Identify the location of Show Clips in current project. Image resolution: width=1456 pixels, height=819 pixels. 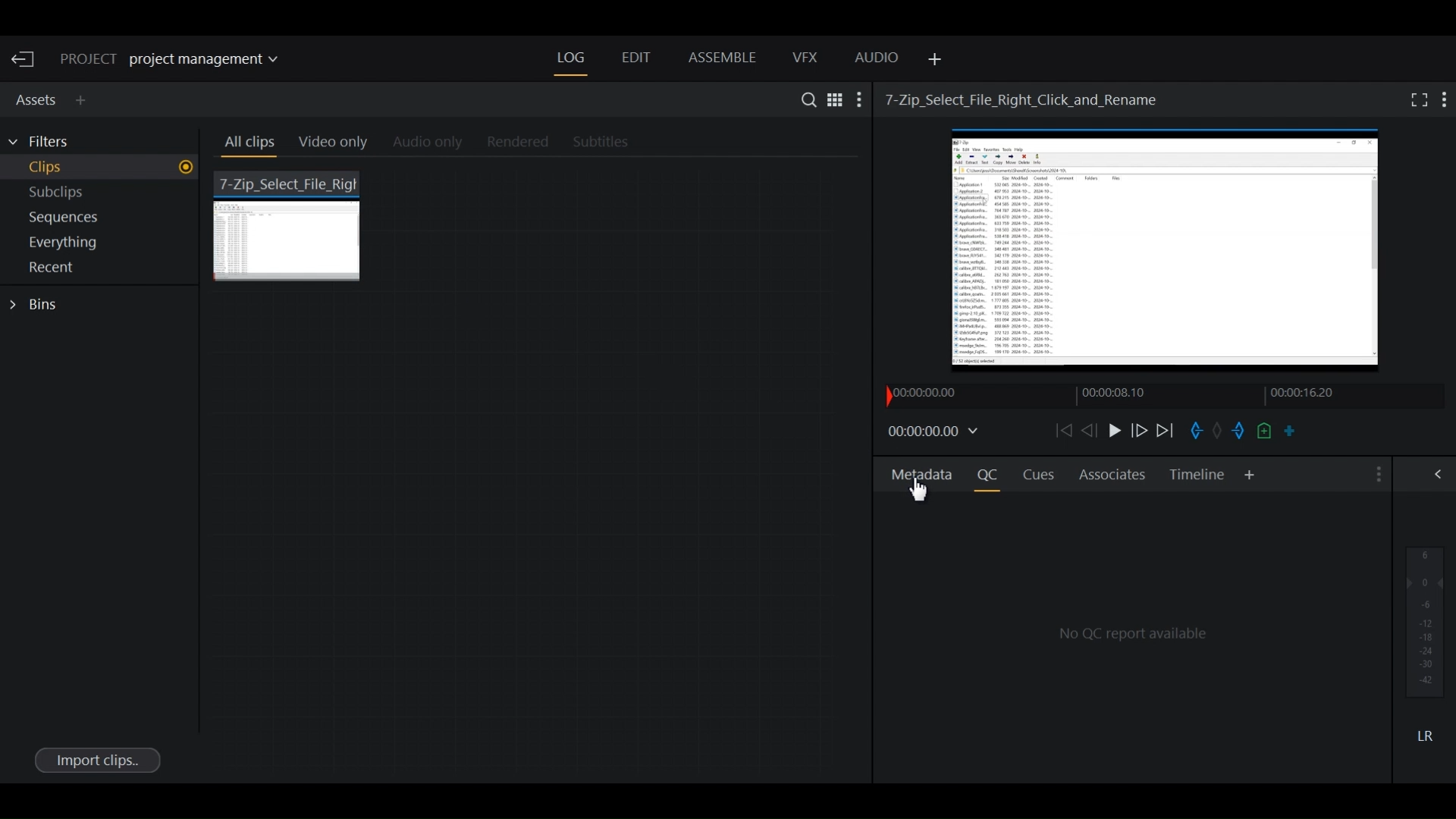
(102, 169).